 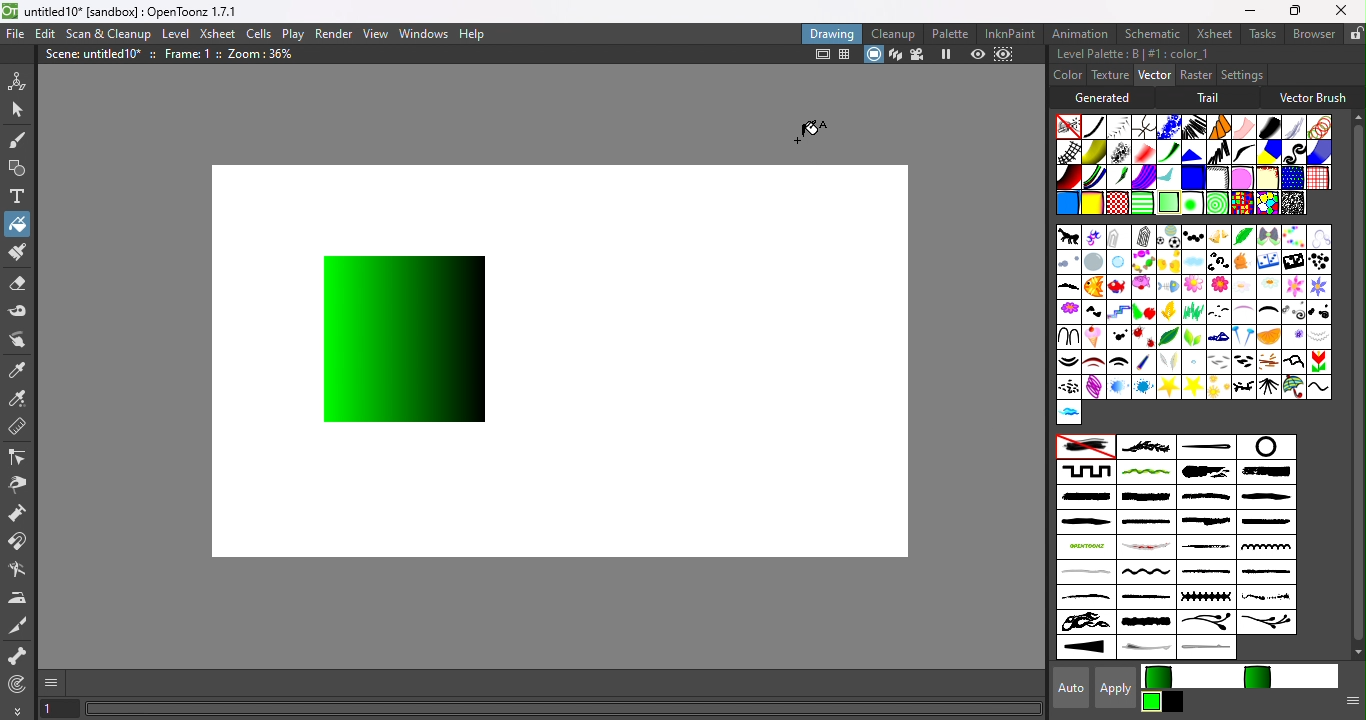 I want to click on intertwined waved, so click(x=1146, y=472).